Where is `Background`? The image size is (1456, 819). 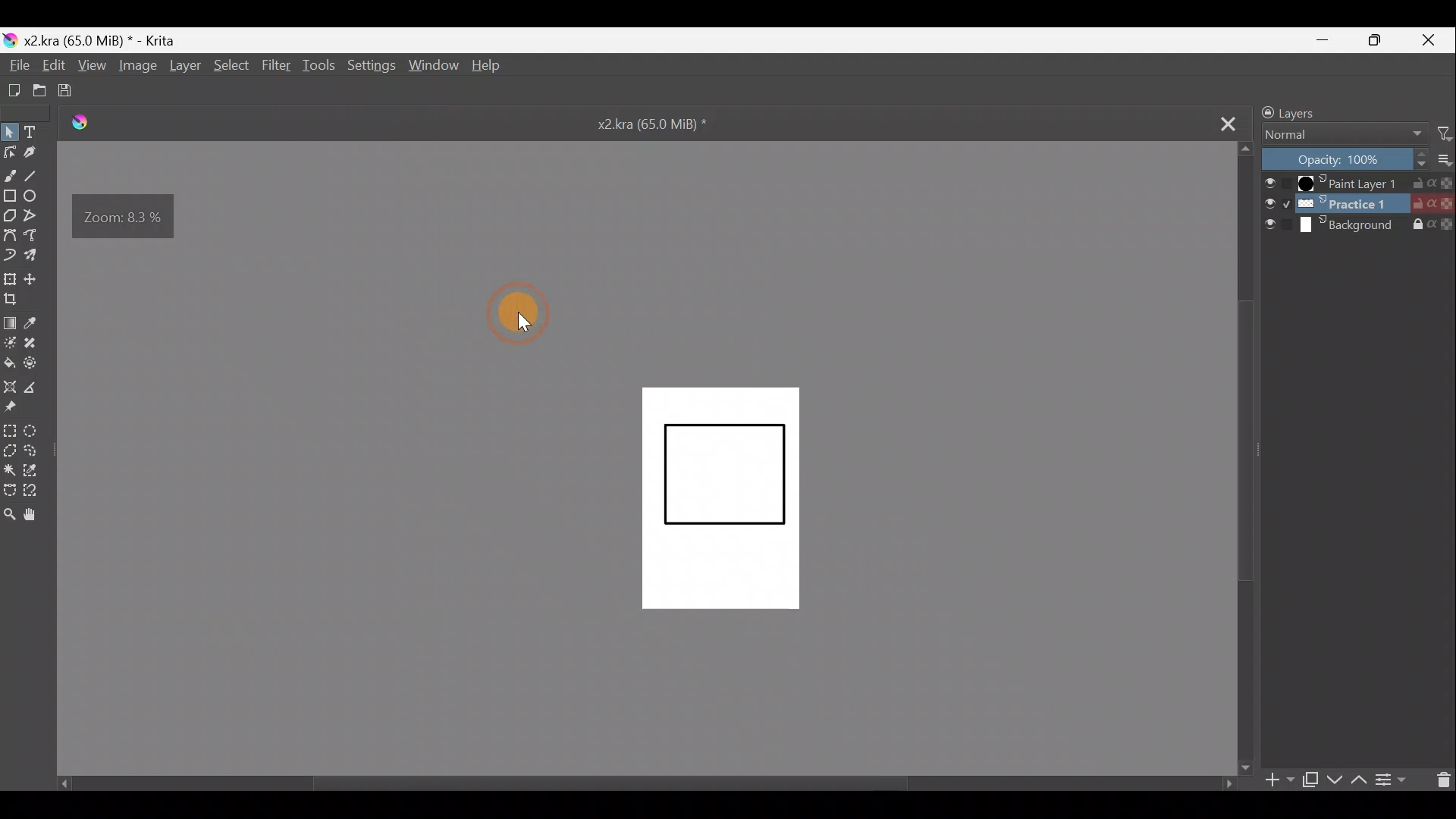
Background is located at coordinates (1359, 225).